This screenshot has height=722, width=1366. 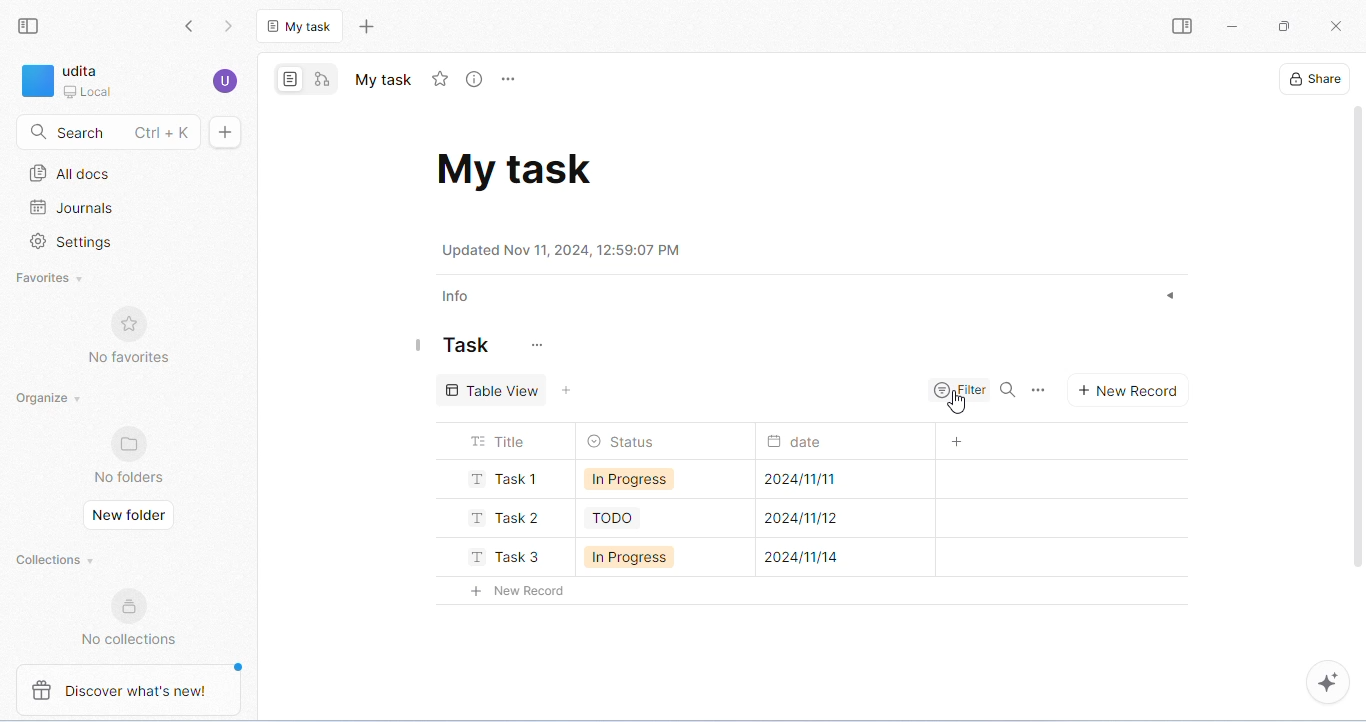 I want to click on search, so click(x=105, y=132).